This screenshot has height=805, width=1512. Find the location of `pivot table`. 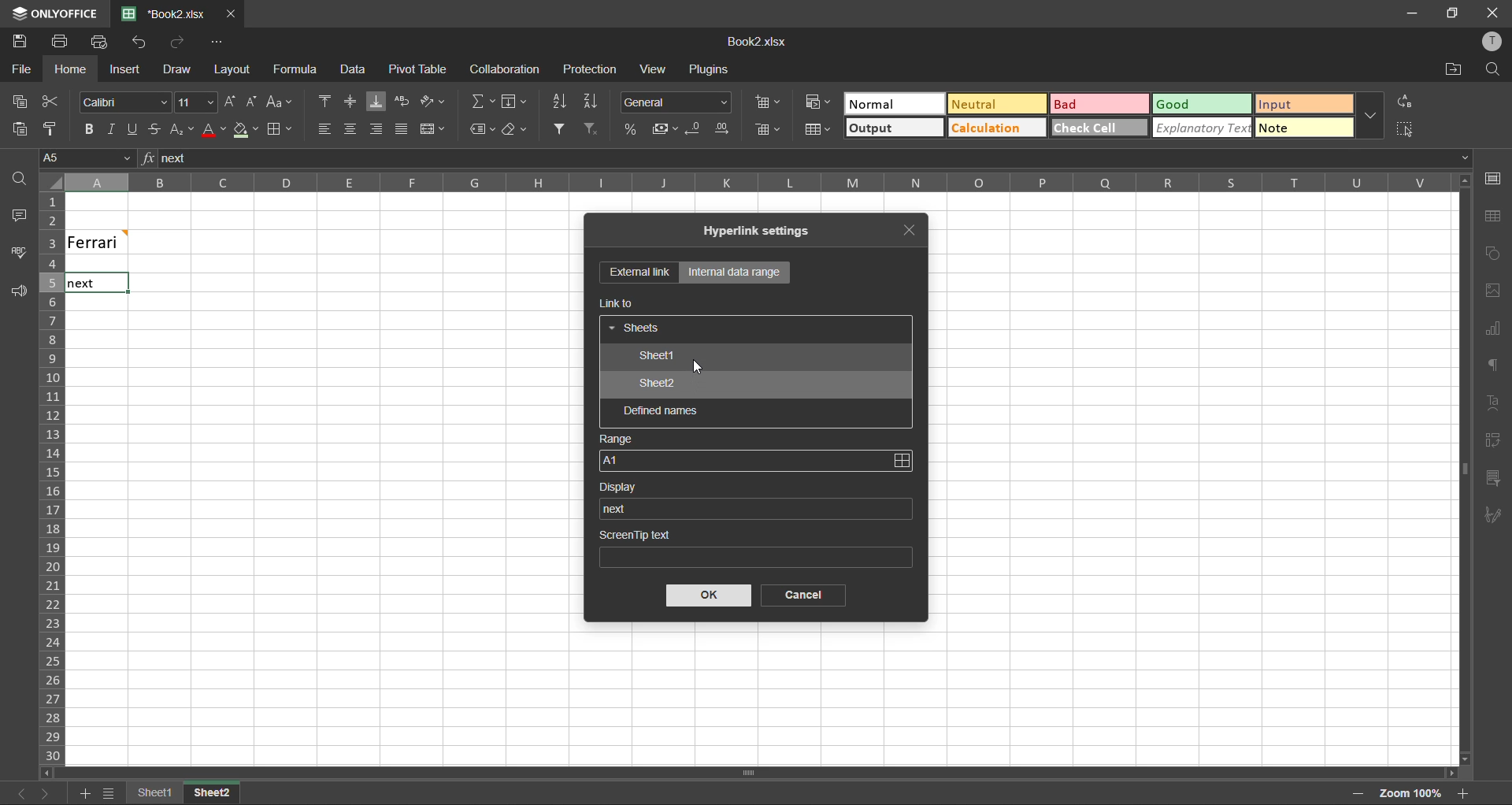

pivot table is located at coordinates (1493, 440).